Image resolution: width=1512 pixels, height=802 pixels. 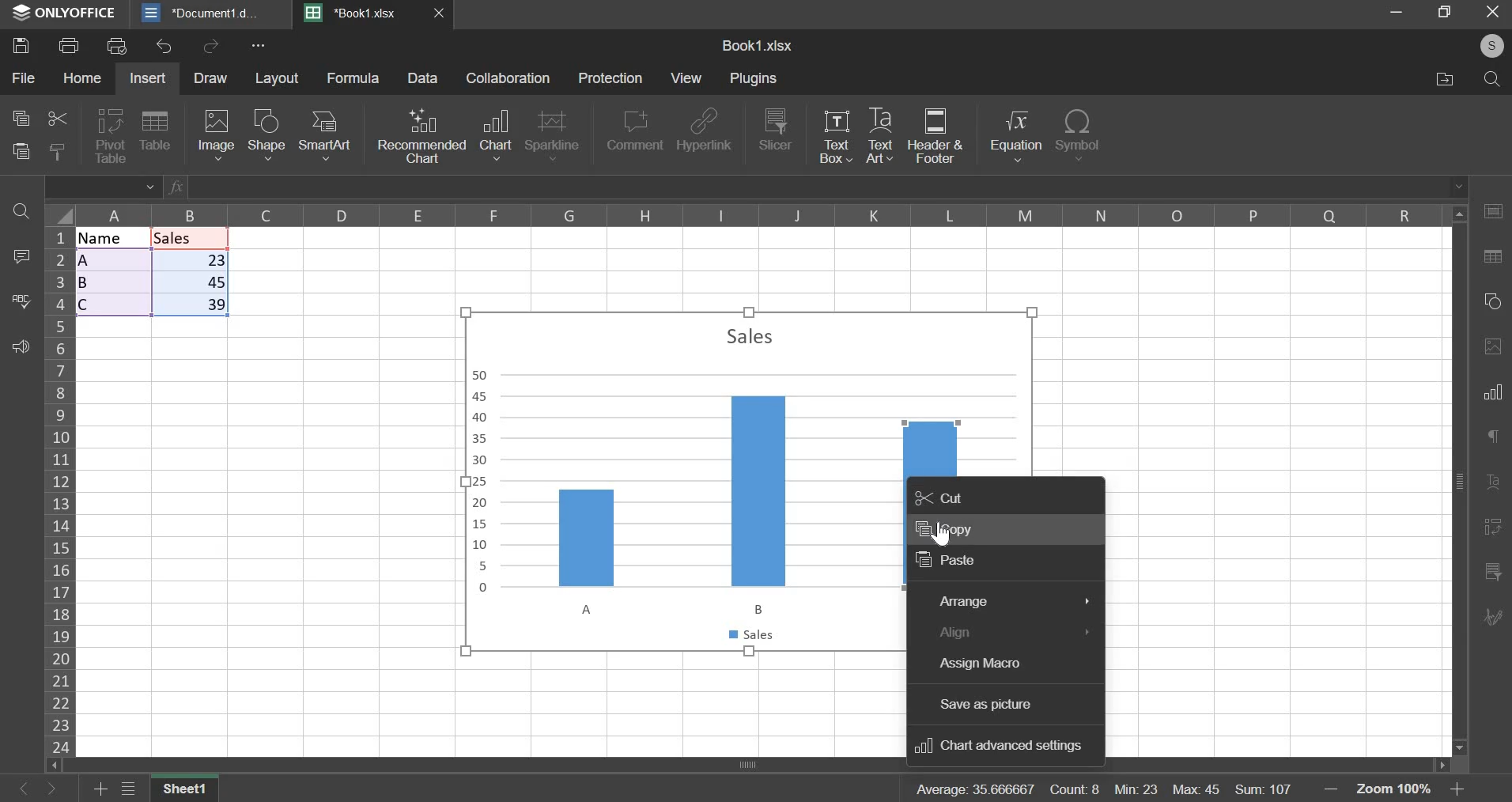 What do you see at coordinates (60, 16) in the screenshot?
I see `ONLYOFFICE` at bounding box center [60, 16].